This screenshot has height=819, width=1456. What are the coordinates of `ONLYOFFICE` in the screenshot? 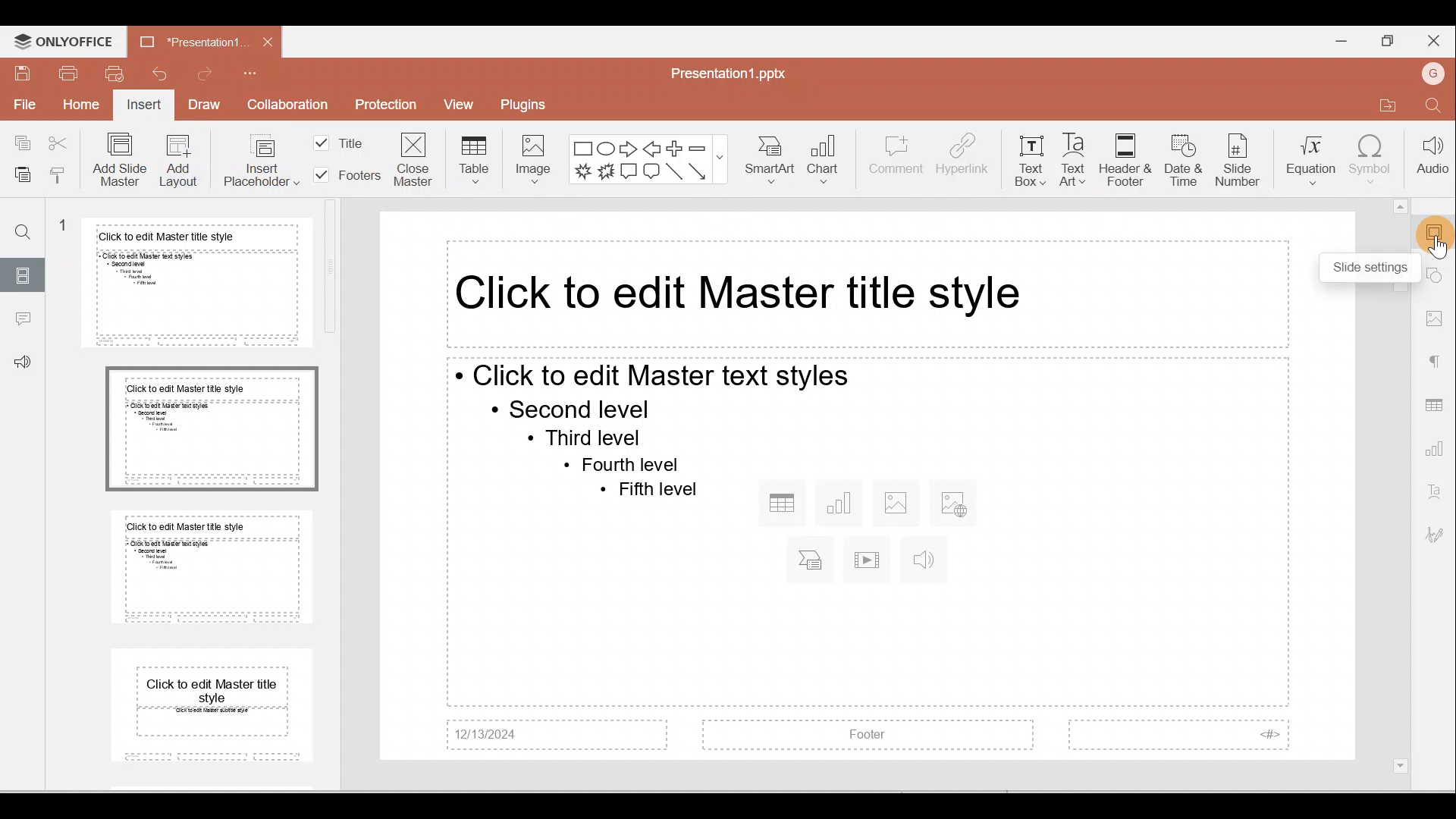 It's located at (62, 42).